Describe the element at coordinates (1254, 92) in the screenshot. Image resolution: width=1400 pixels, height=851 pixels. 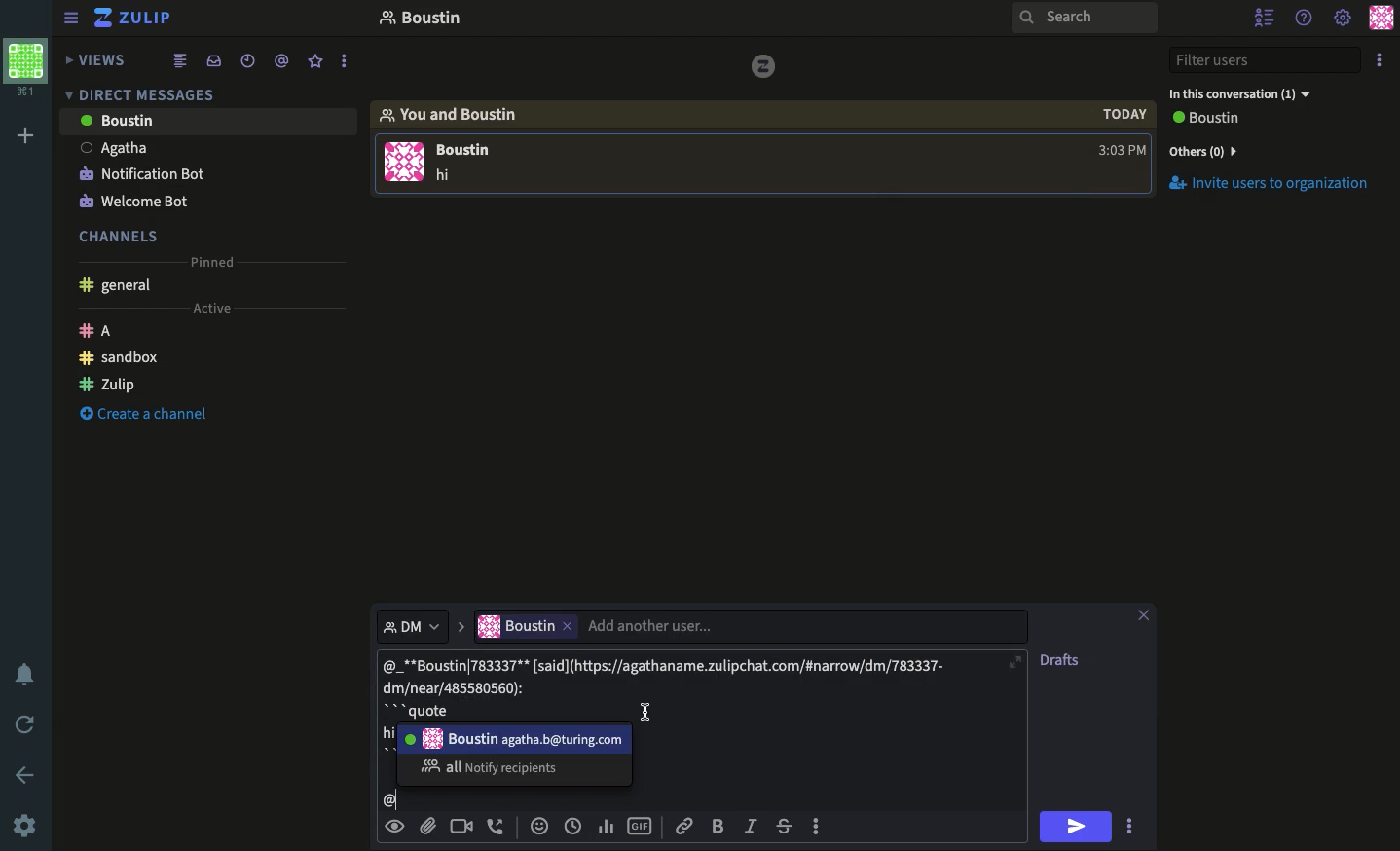
I see `In this conversation` at that location.